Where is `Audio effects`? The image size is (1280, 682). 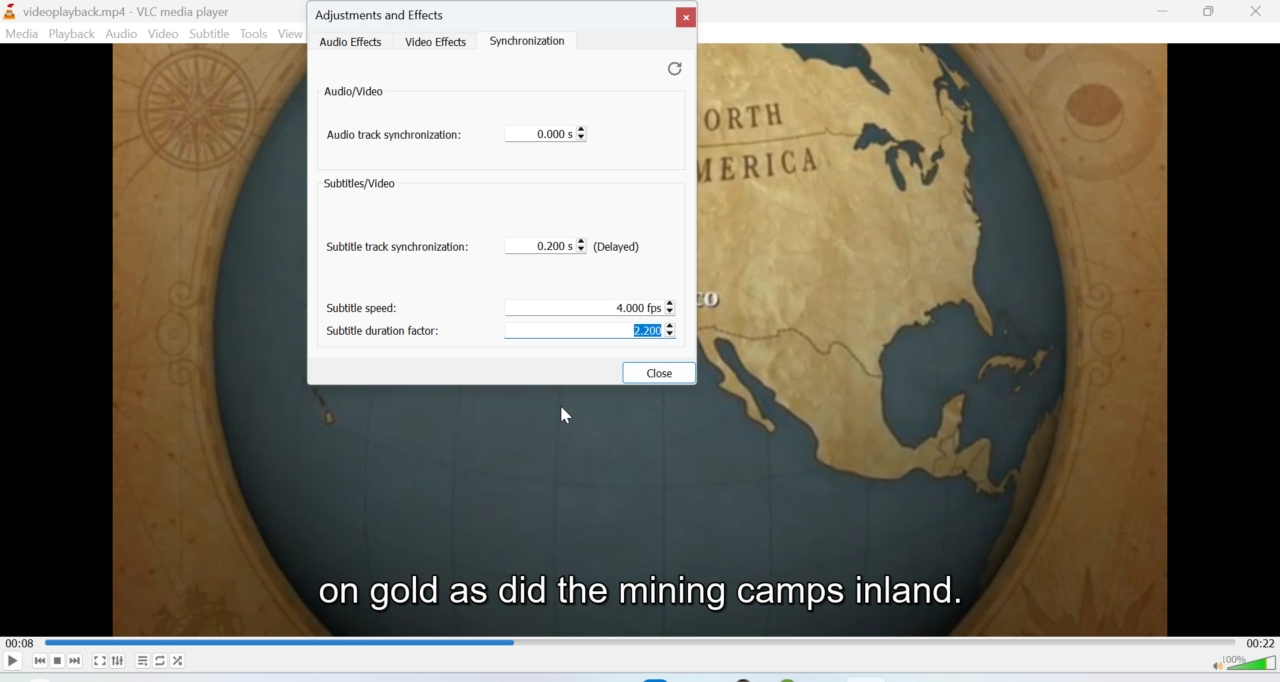
Audio effects is located at coordinates (353, 42).